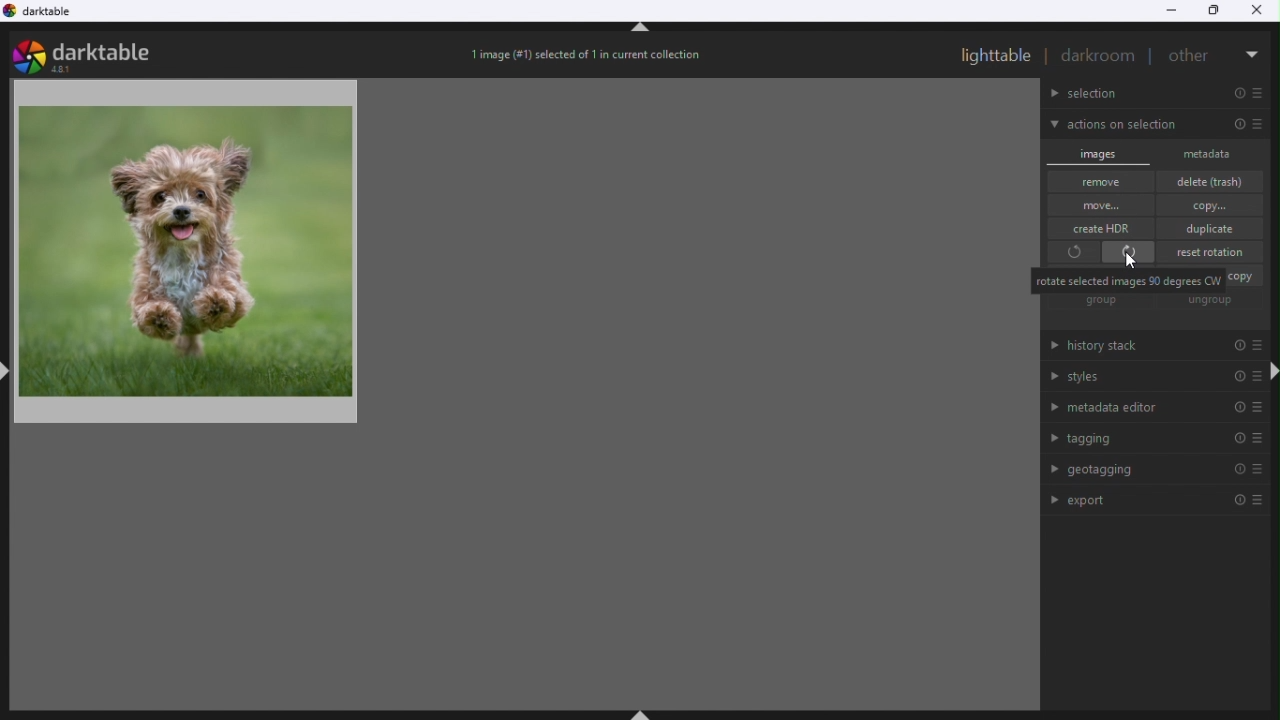 The width and height of the screenshot is (1280, 720). What do you see at coordinates (1158, 94) in the screenshot?
I see `Selection` at bounding box center [1158, 94].